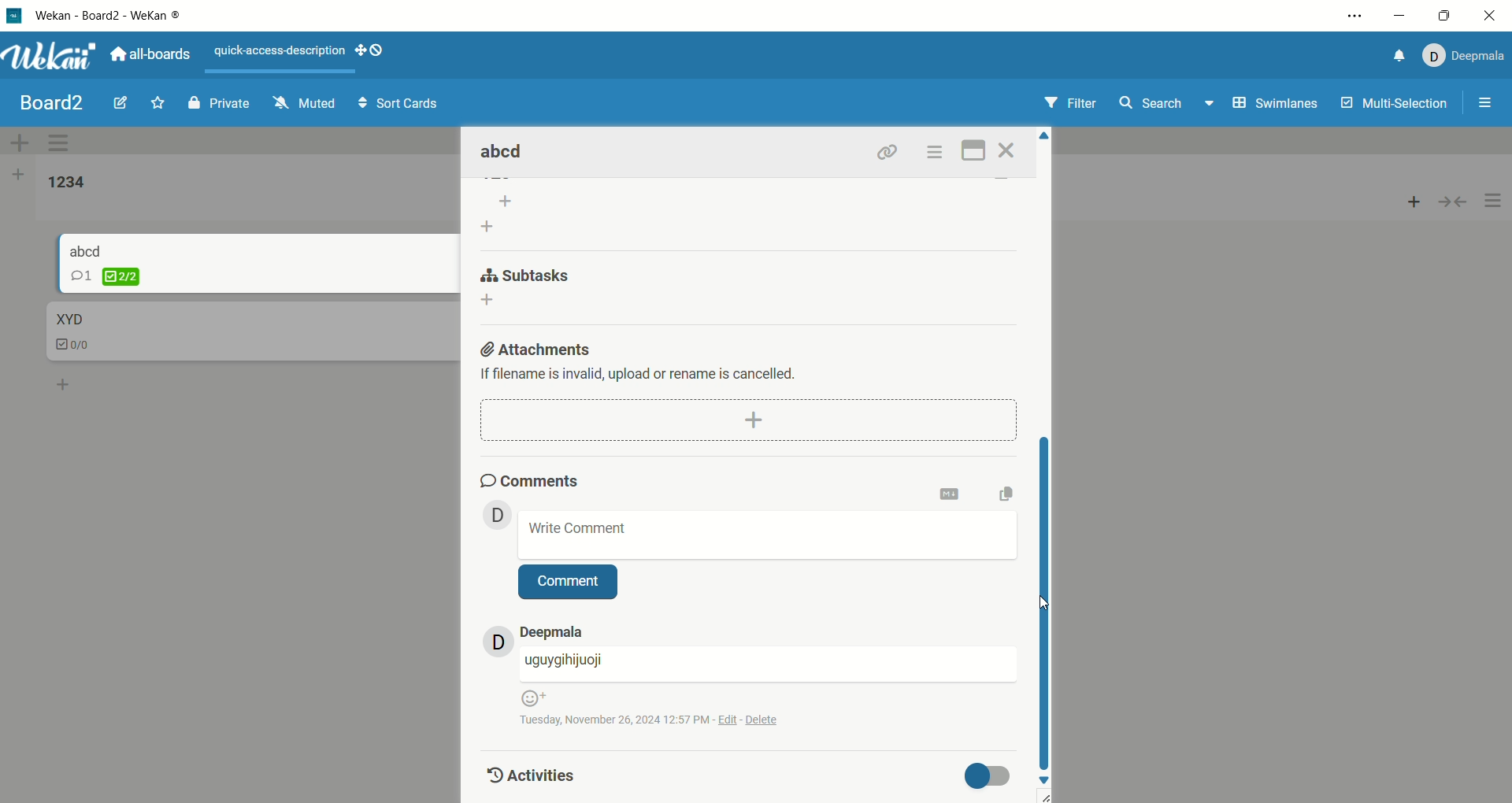 The width and height of the screenshot is (1512, 803). Describe the element at coordinates (1400, 17) in the screenshot. I see `minimize` at that location.